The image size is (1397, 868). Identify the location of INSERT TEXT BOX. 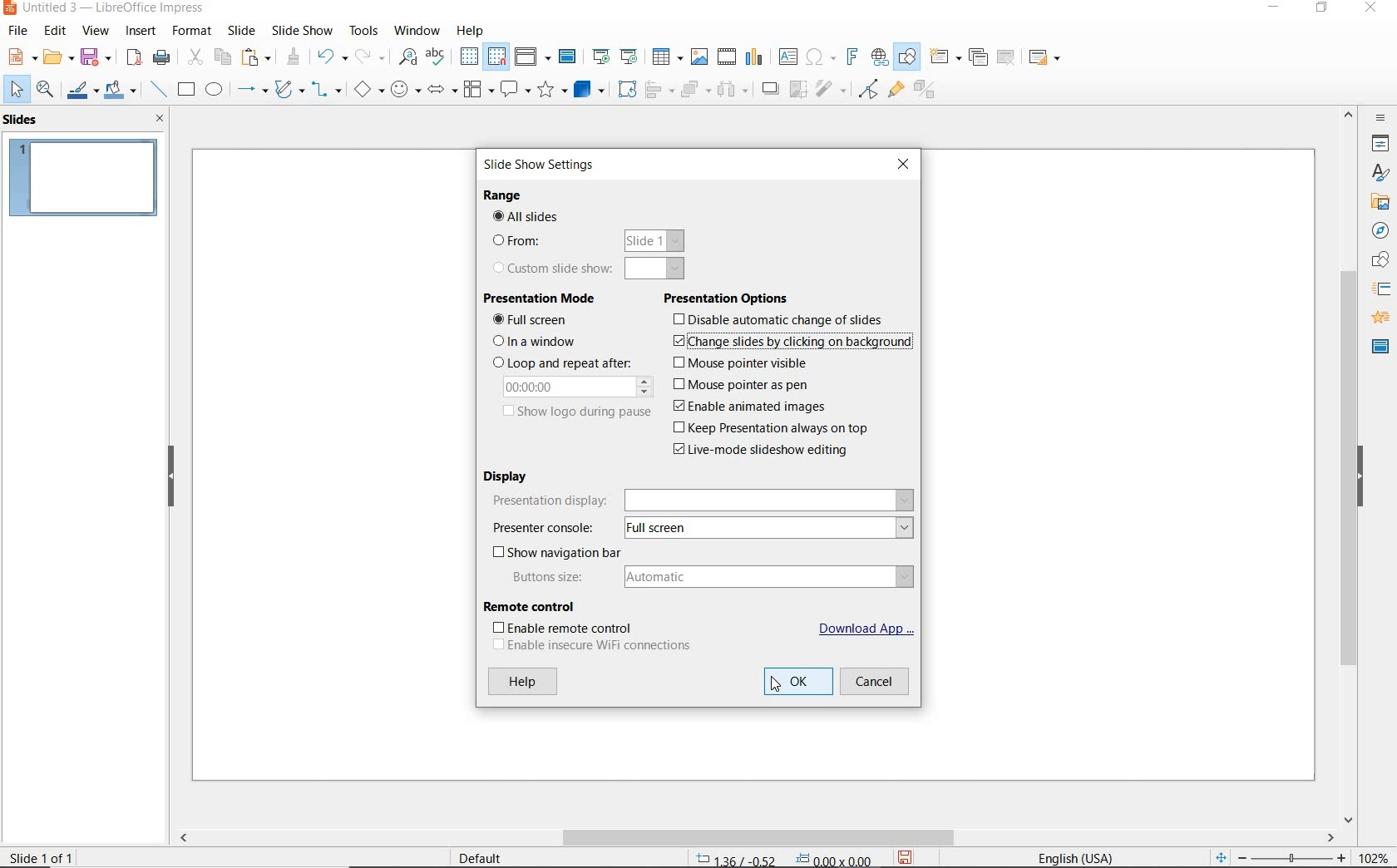
(789, 57).